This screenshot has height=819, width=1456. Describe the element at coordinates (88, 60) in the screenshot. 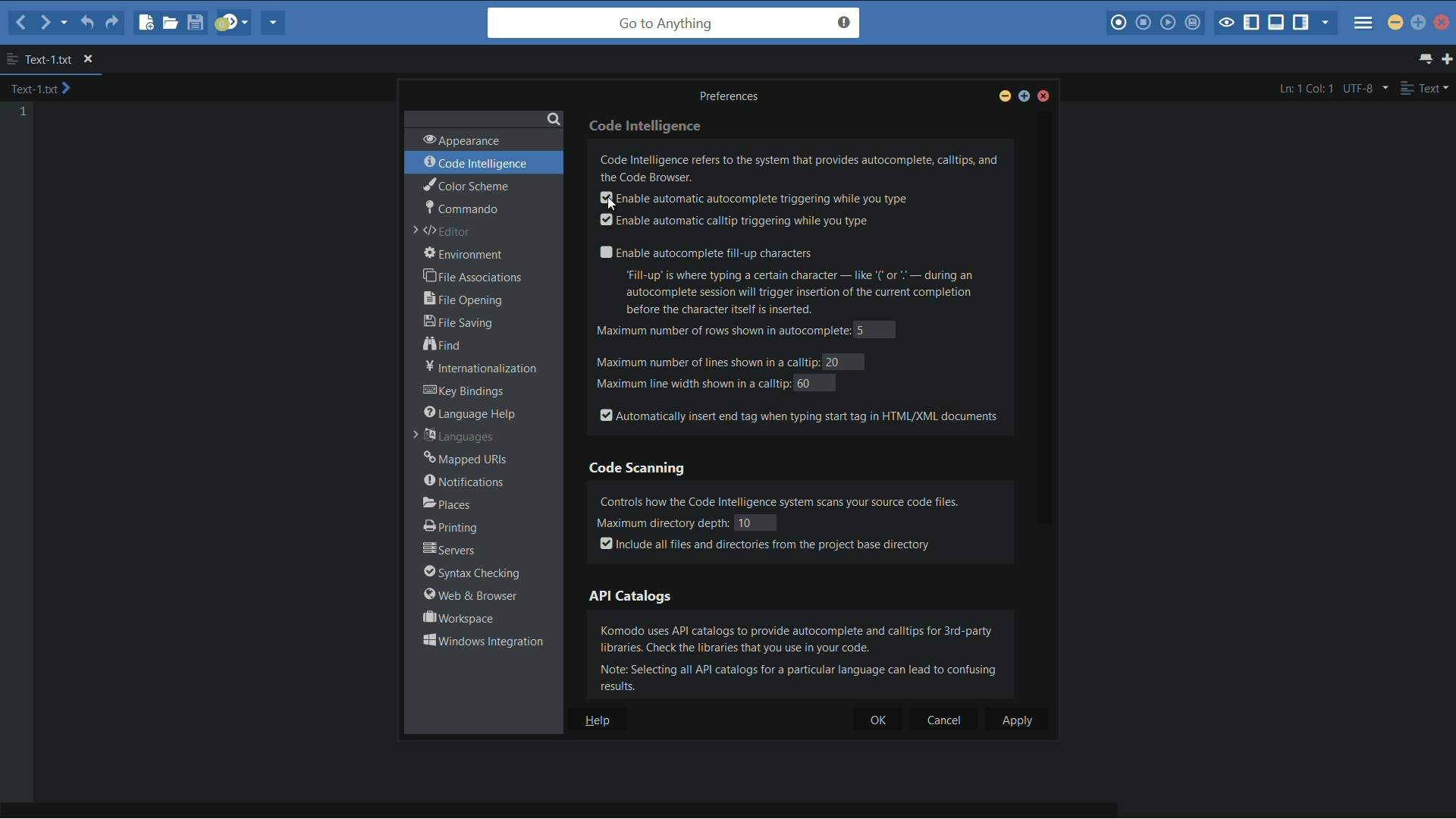

I see `close file` at that location.